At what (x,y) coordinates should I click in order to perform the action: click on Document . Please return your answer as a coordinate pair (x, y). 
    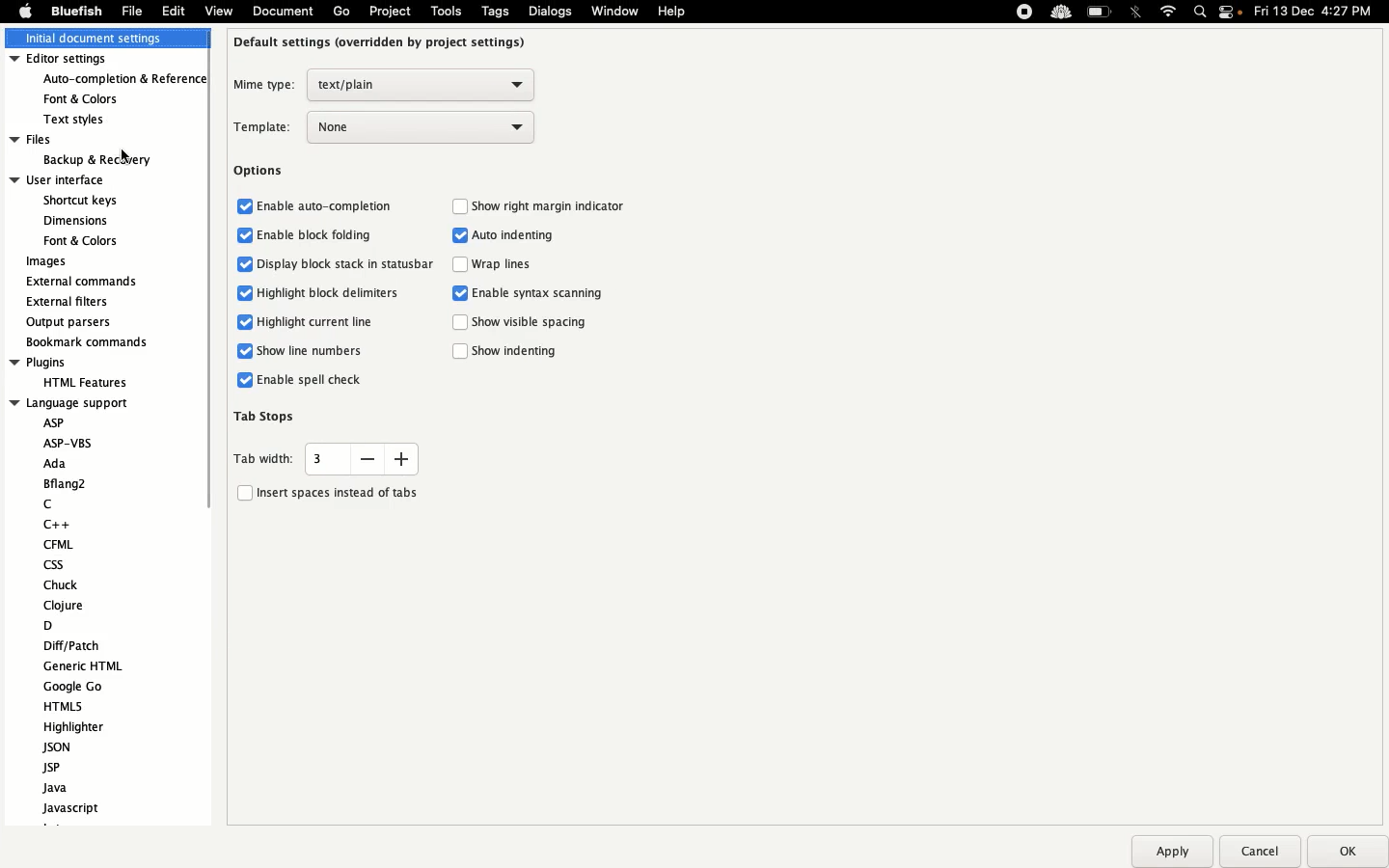
    Looking at the image, I should click on (282, 13).